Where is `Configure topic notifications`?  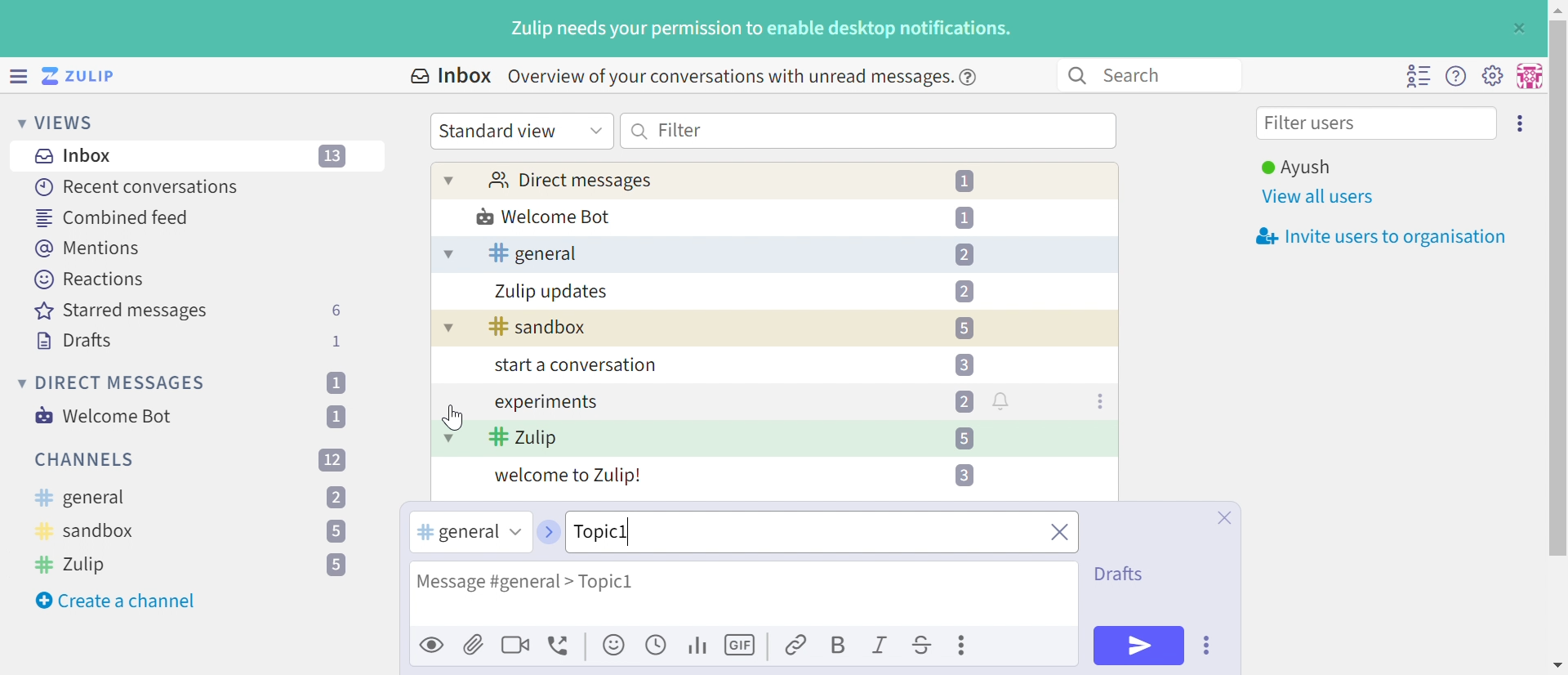
Configure topic notifications is located at coordinates (1004, 400).